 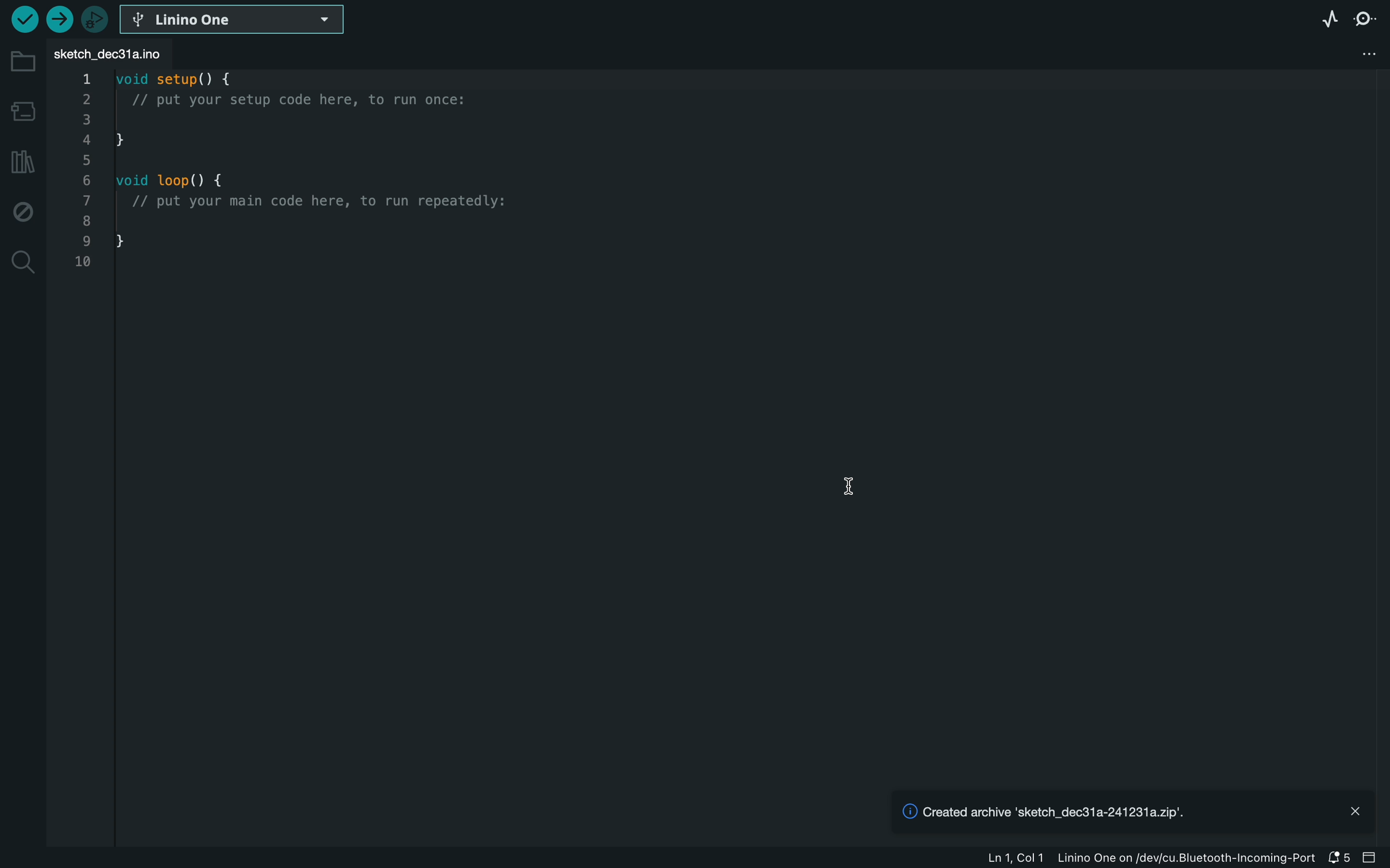 What do you see at coordinates (235, 21) in the screenshot?
I see `board select` at bounding box center [235, 21].